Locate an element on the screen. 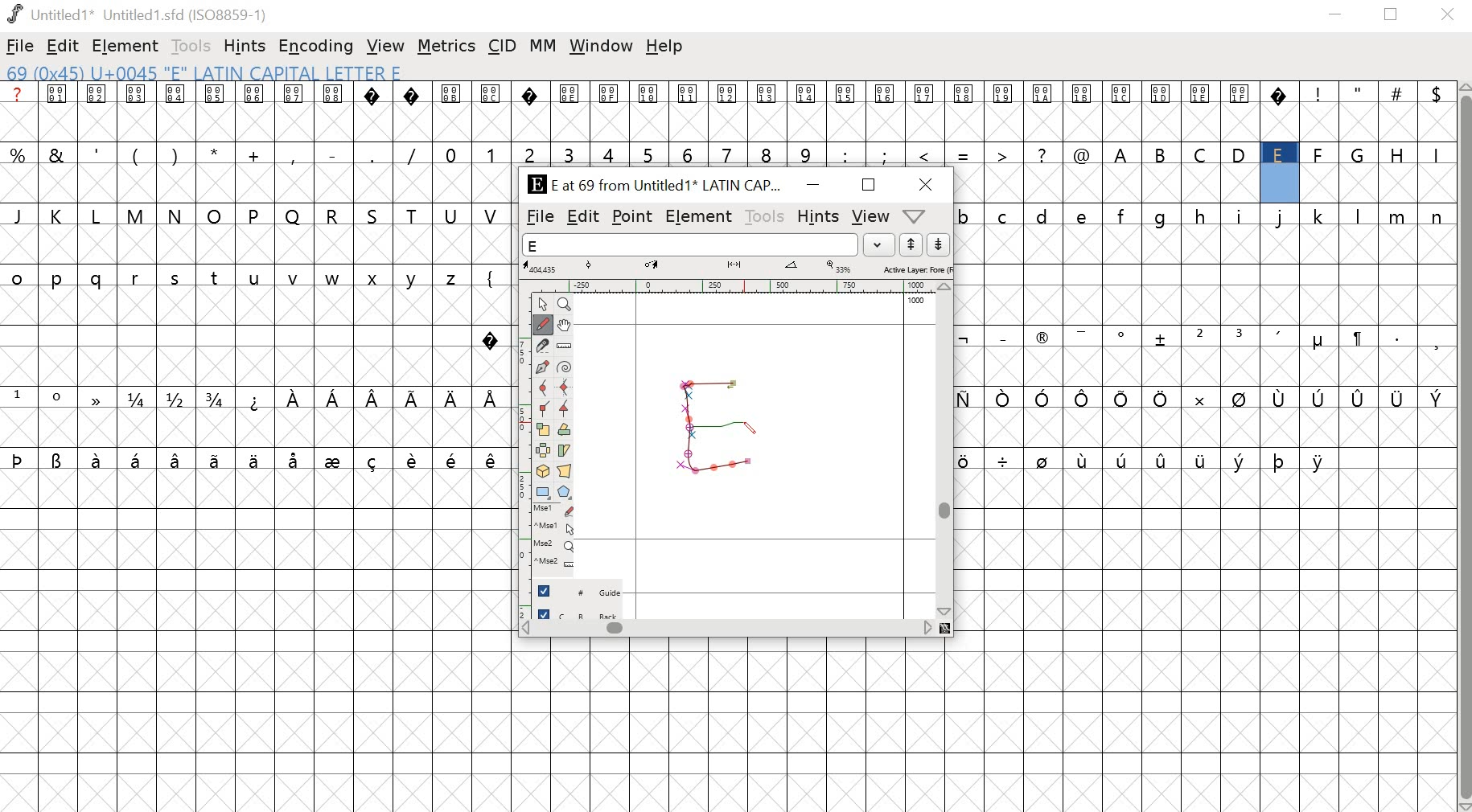  Spiro is located at coordinates (565, 366).